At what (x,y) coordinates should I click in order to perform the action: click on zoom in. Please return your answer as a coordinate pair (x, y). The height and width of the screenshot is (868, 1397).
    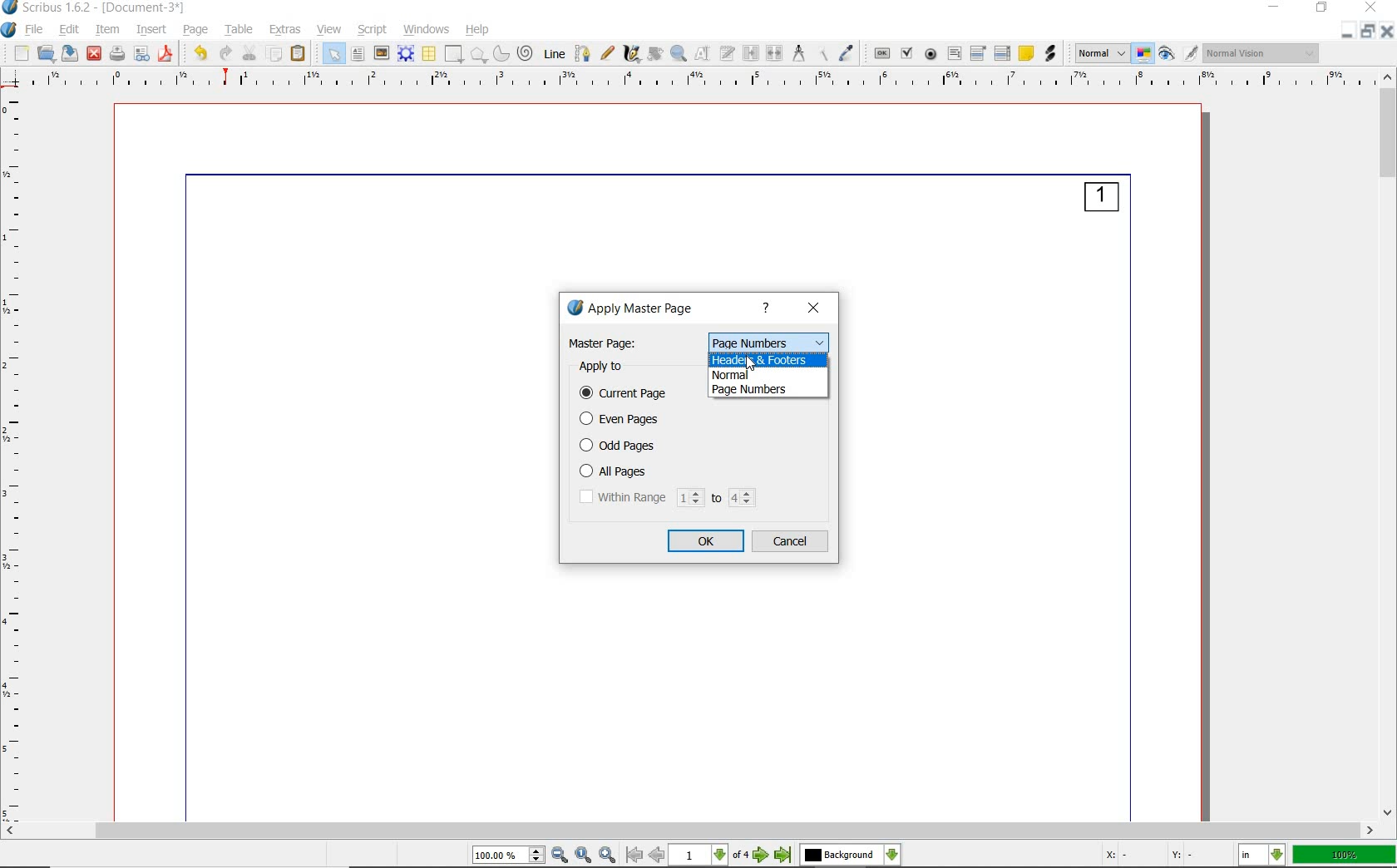
    Looking at the image, I should click on (610, 855).